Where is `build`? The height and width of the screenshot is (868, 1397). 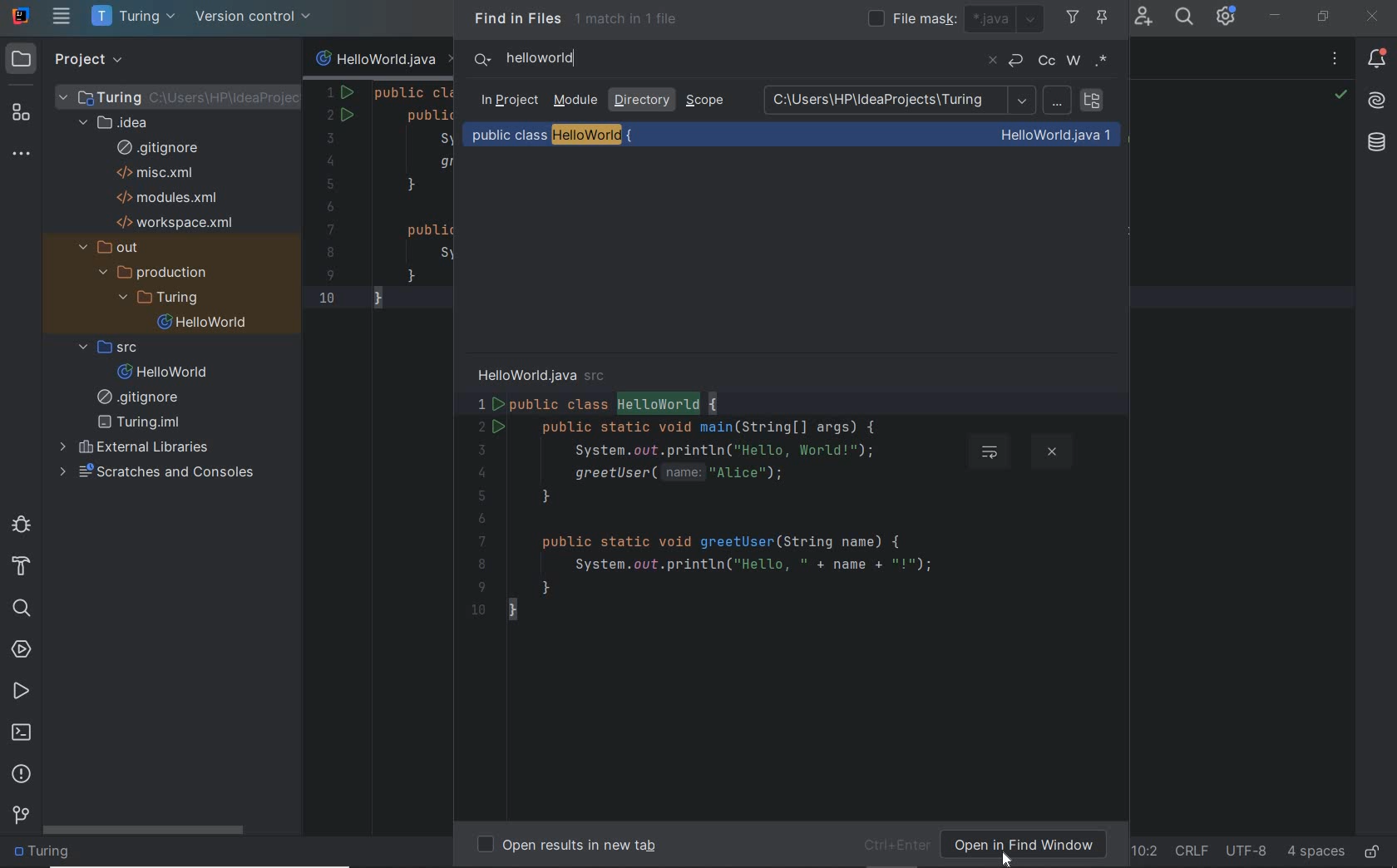 build is located at coordinates (24, 570).